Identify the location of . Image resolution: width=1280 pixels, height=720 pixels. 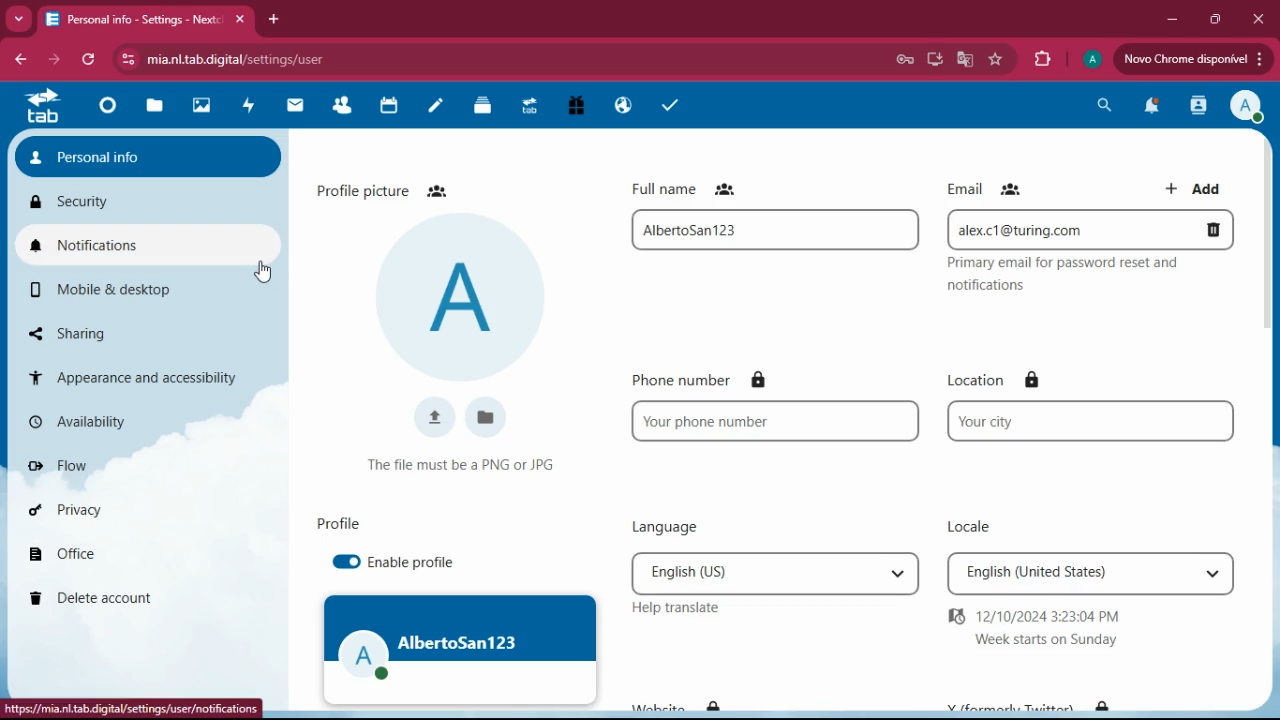
(273, 19).